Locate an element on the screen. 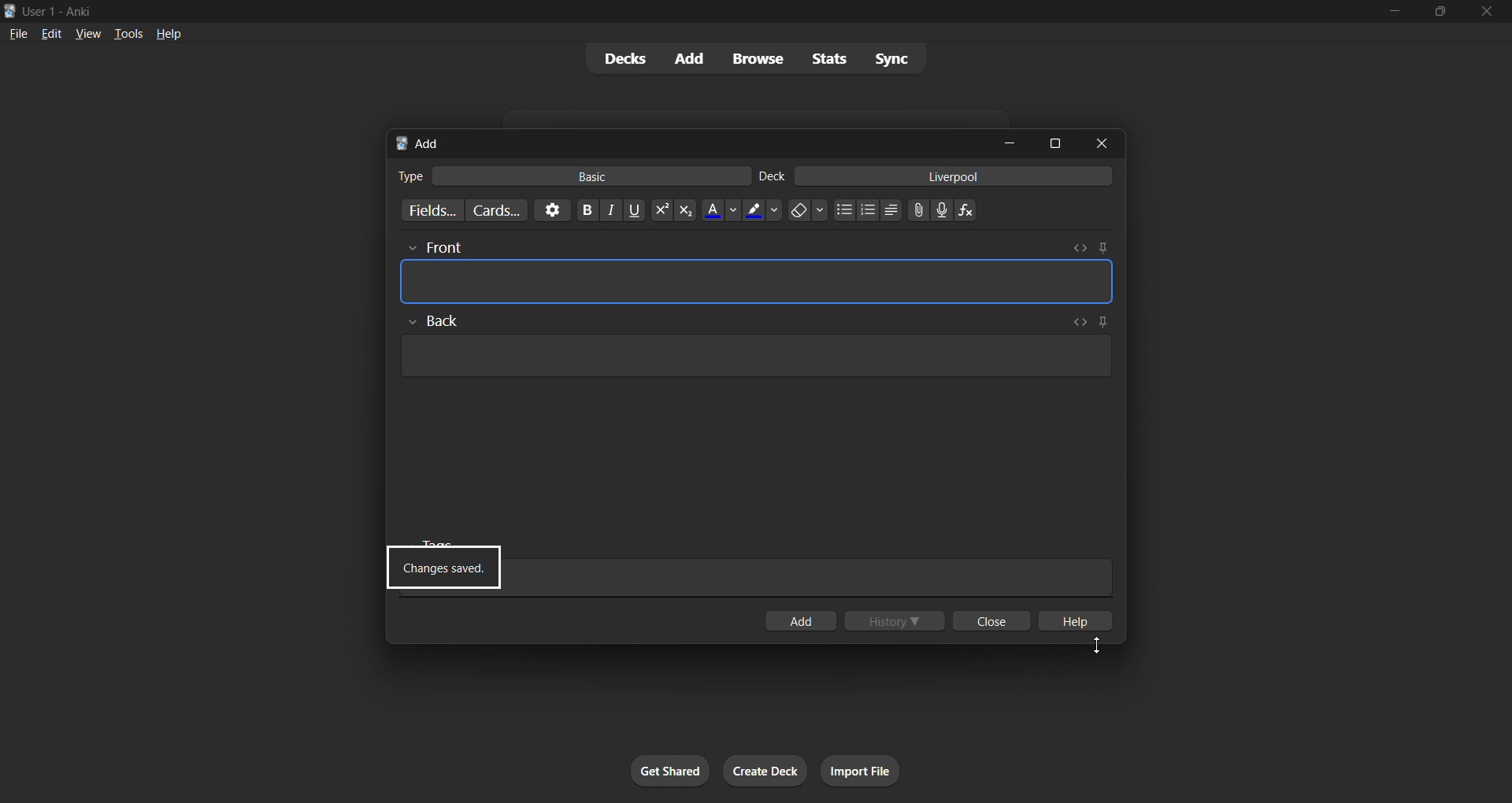  fields is located at coordinates (432, 211).